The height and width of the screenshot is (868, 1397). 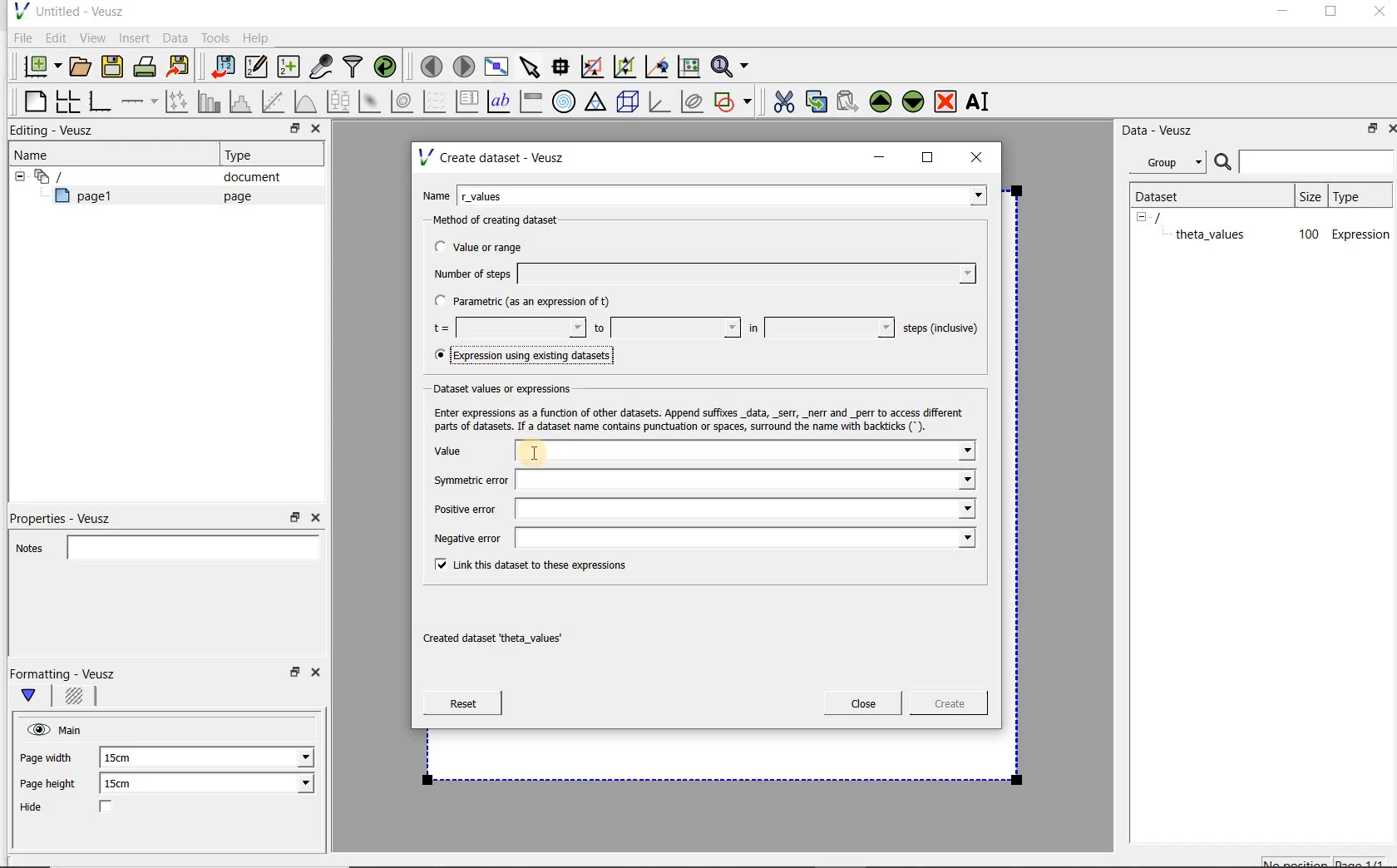 What do you see at coordinates (243, 101) in the screenshot?
I see `histogram of a dataset` at bounding box center [243, 101].